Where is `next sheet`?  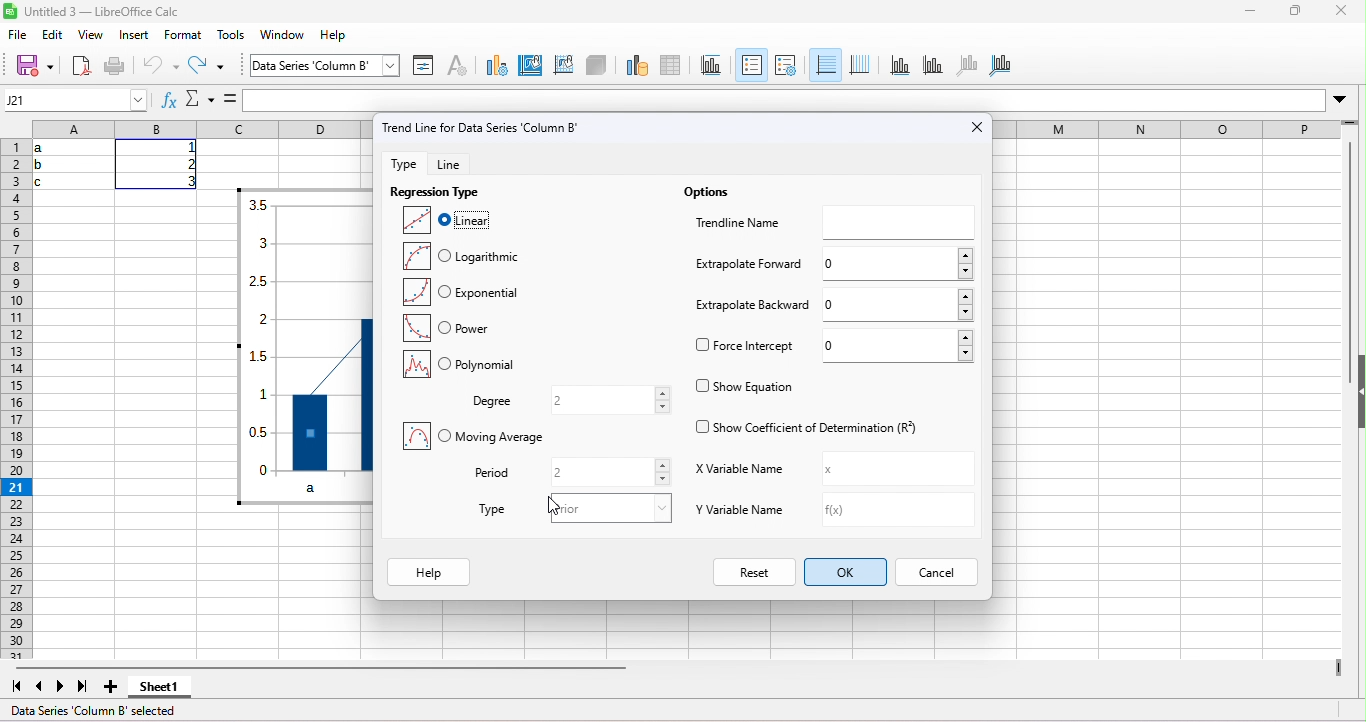 next sheet is located at coordinates (64, 689).